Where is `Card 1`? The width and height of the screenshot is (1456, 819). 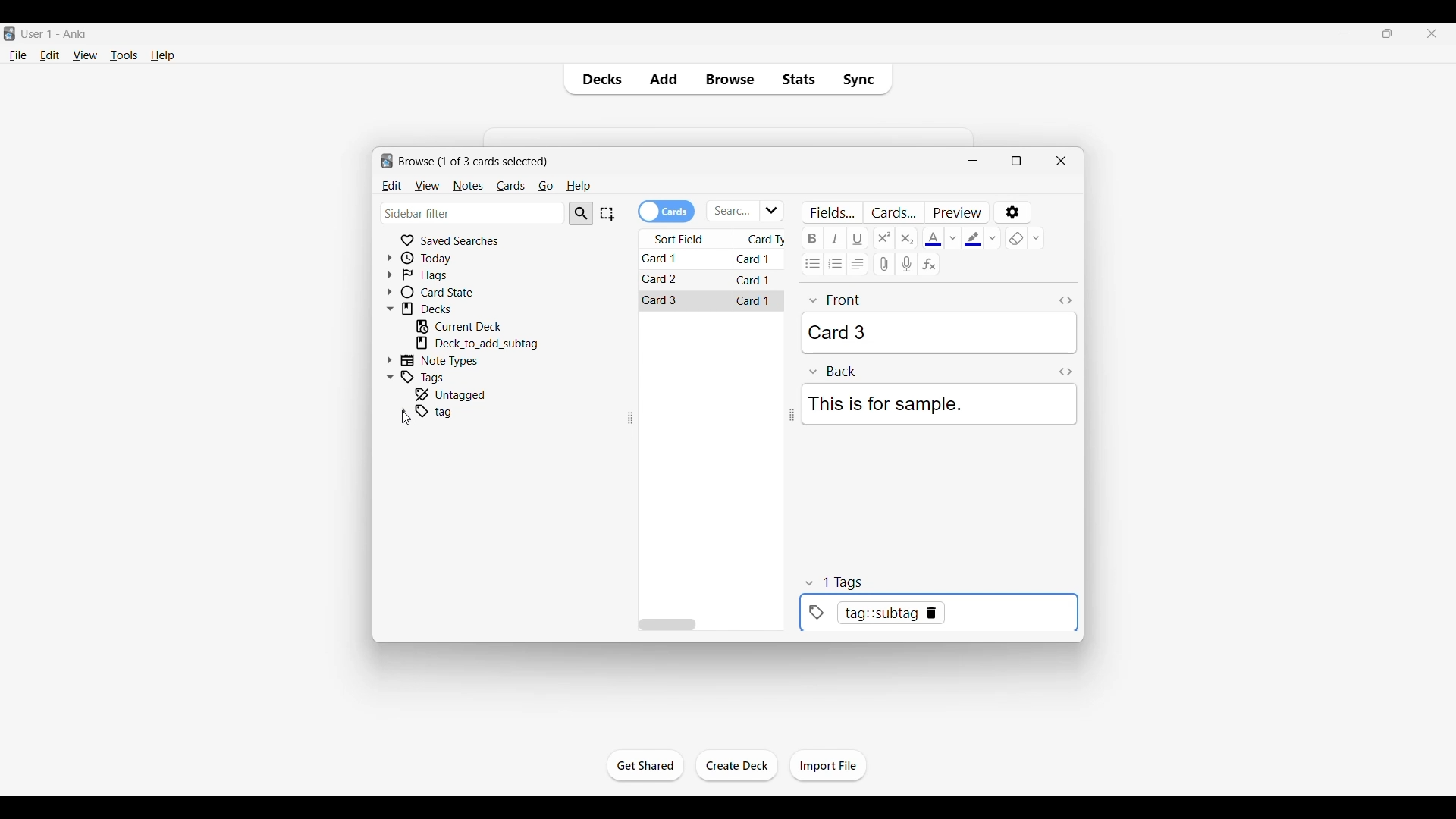 Card 1 is located at coordinates (754, 300).